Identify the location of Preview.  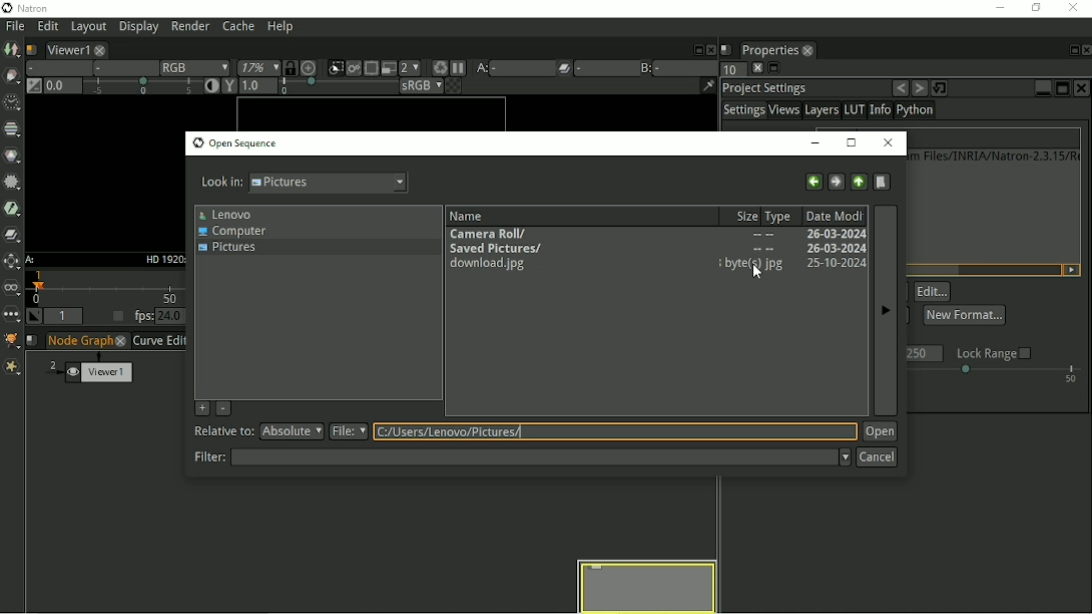
(648, 585).